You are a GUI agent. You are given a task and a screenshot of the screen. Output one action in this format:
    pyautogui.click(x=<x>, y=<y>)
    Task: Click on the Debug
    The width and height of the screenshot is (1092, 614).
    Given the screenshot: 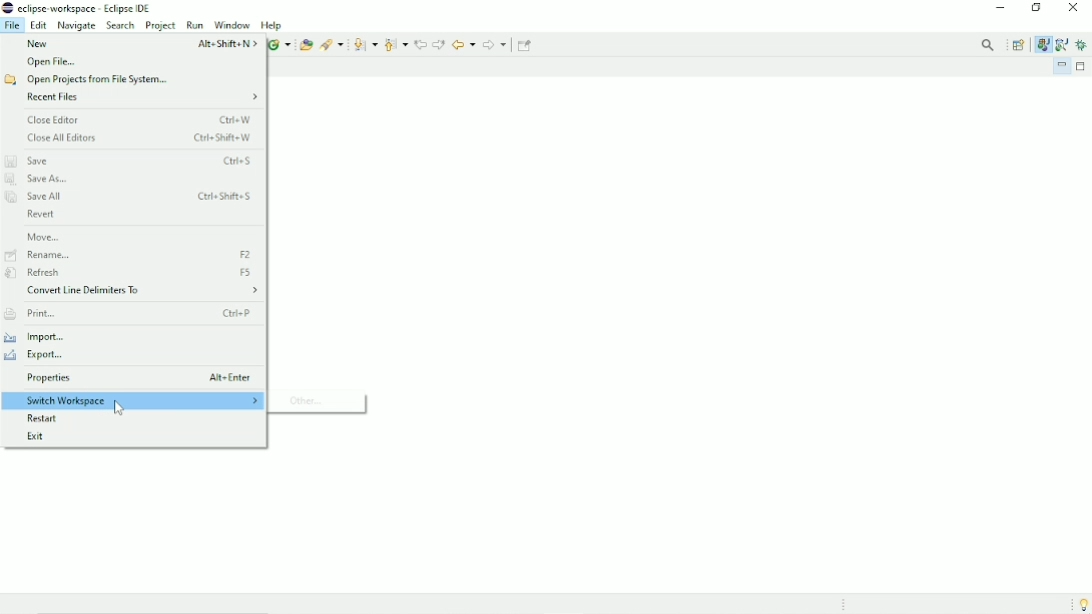 What is the action you would take?
    pyautogui.click(x=1083, y=46)
    